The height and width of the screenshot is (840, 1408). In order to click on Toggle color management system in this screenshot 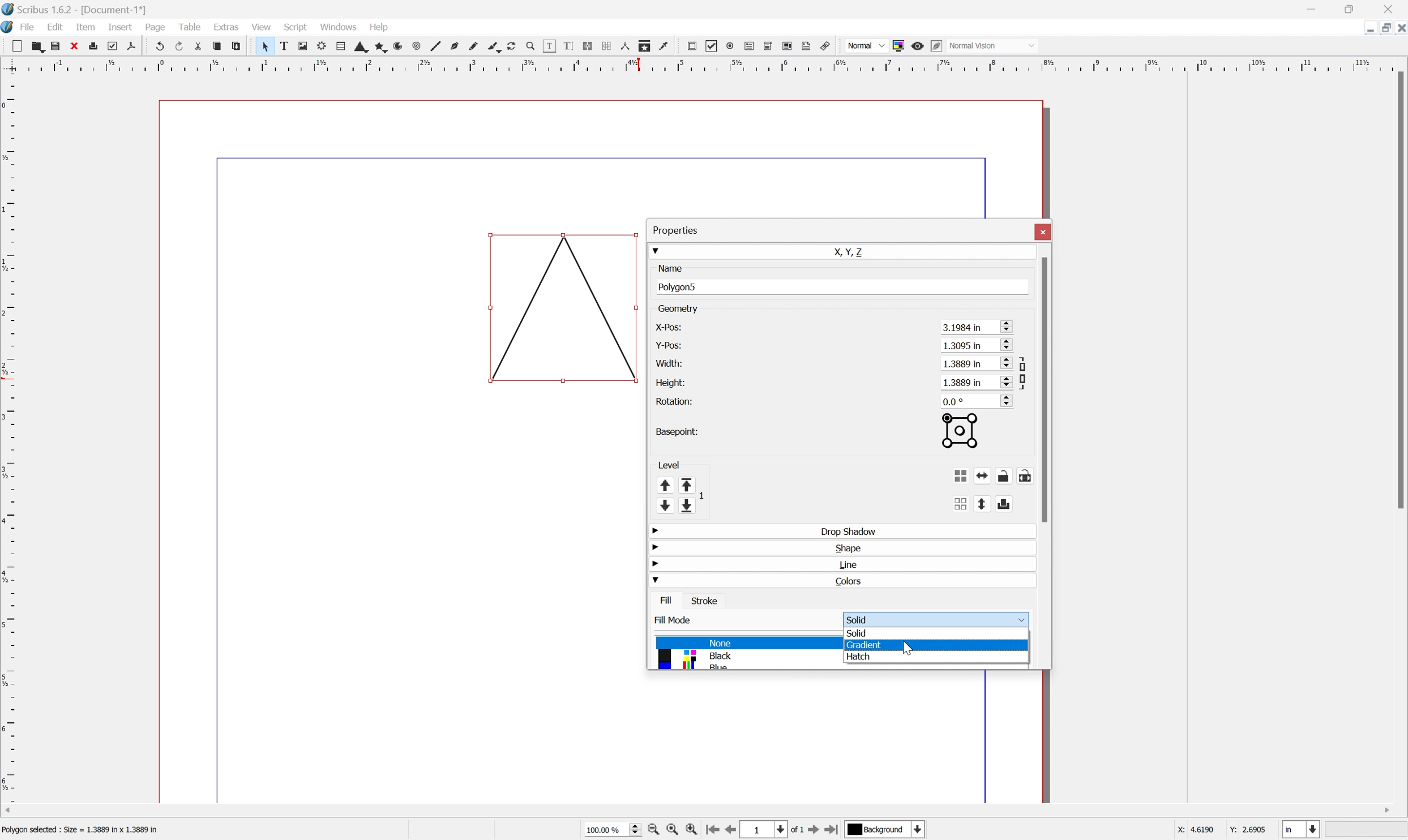, I will do `click(898, 46)`.